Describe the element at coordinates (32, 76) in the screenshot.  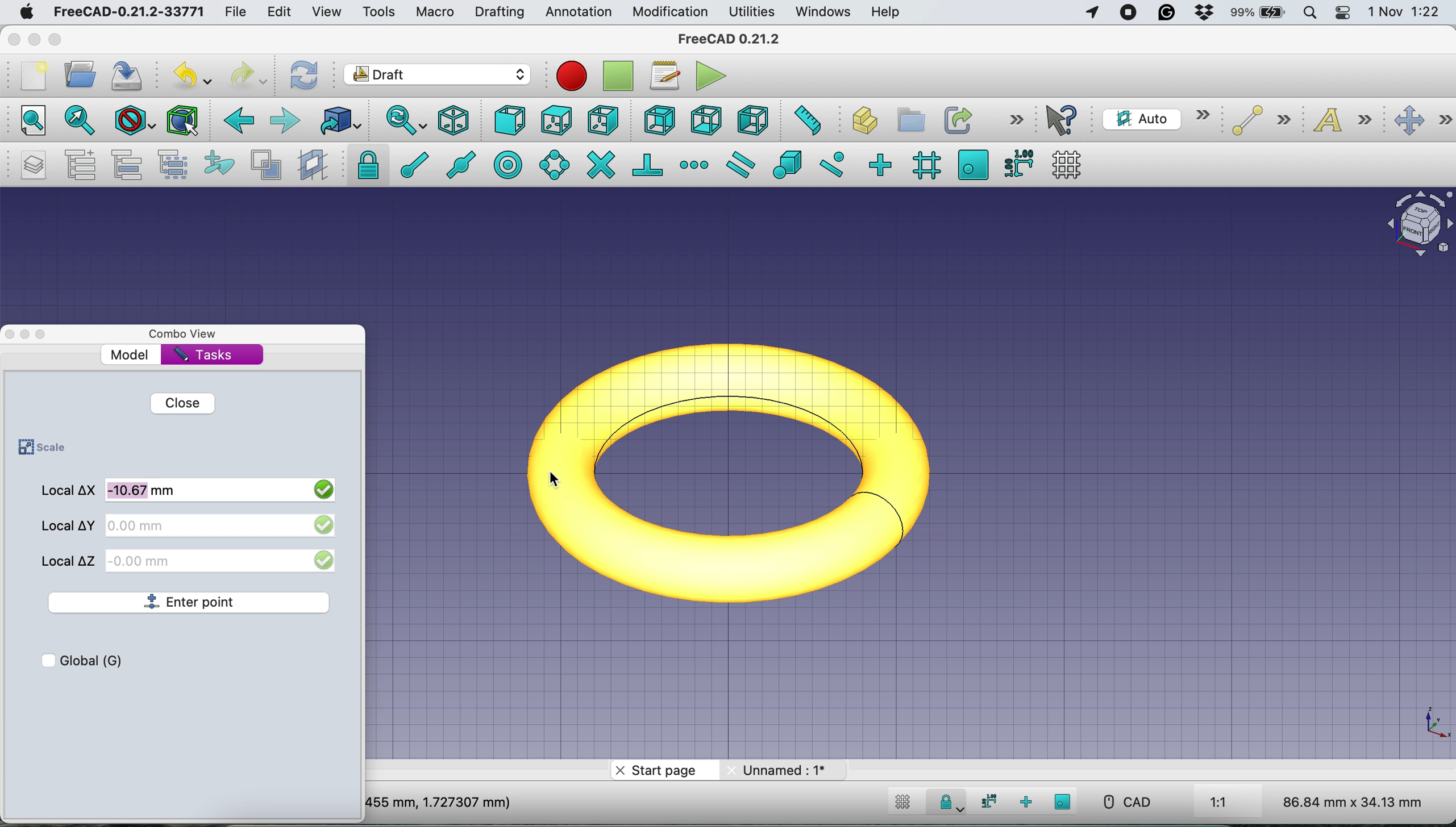
I see `new` at that location.